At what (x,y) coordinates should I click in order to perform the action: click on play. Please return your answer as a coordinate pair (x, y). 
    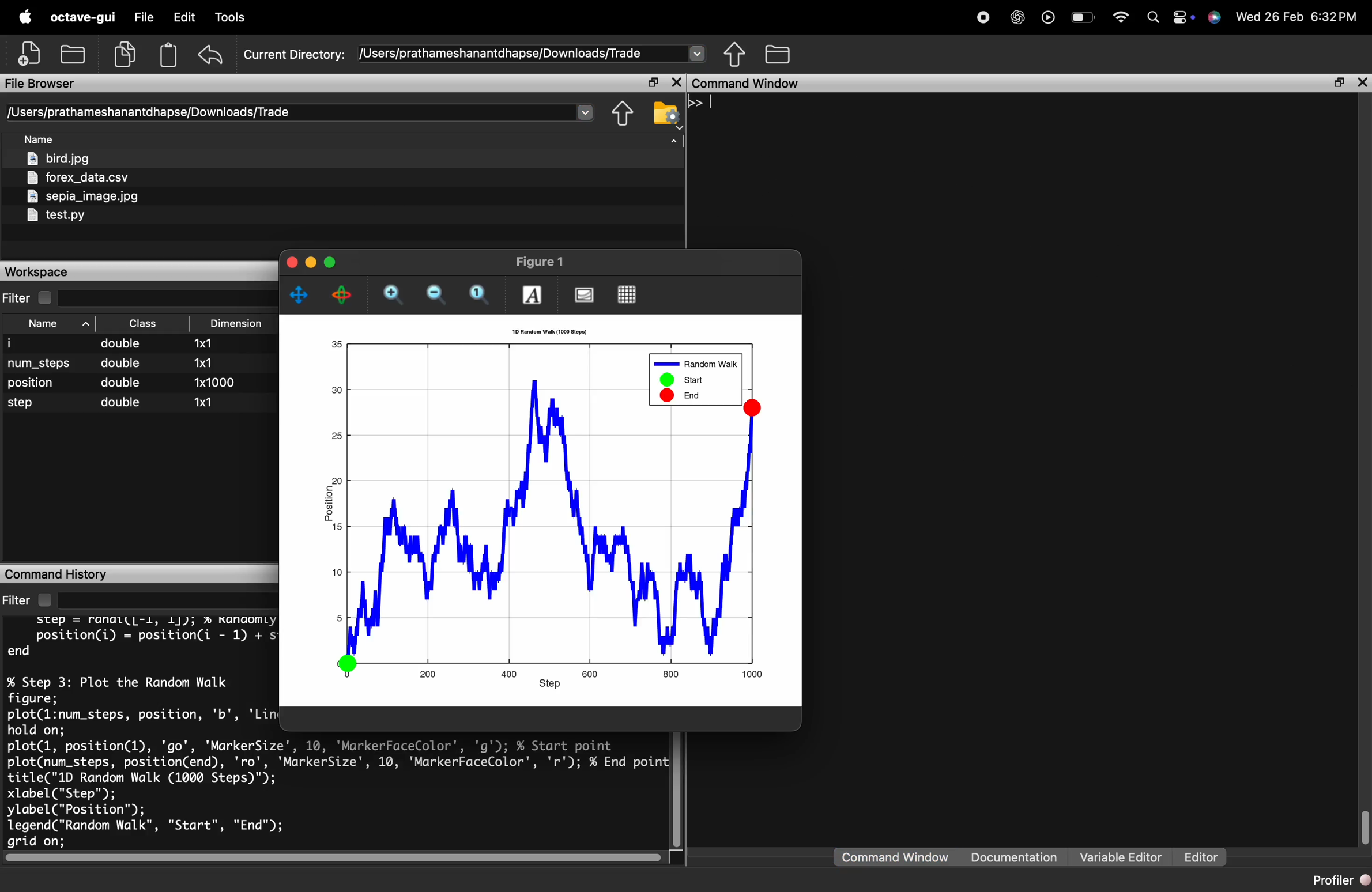
    Looking at the image, I should click on (1047, 17).